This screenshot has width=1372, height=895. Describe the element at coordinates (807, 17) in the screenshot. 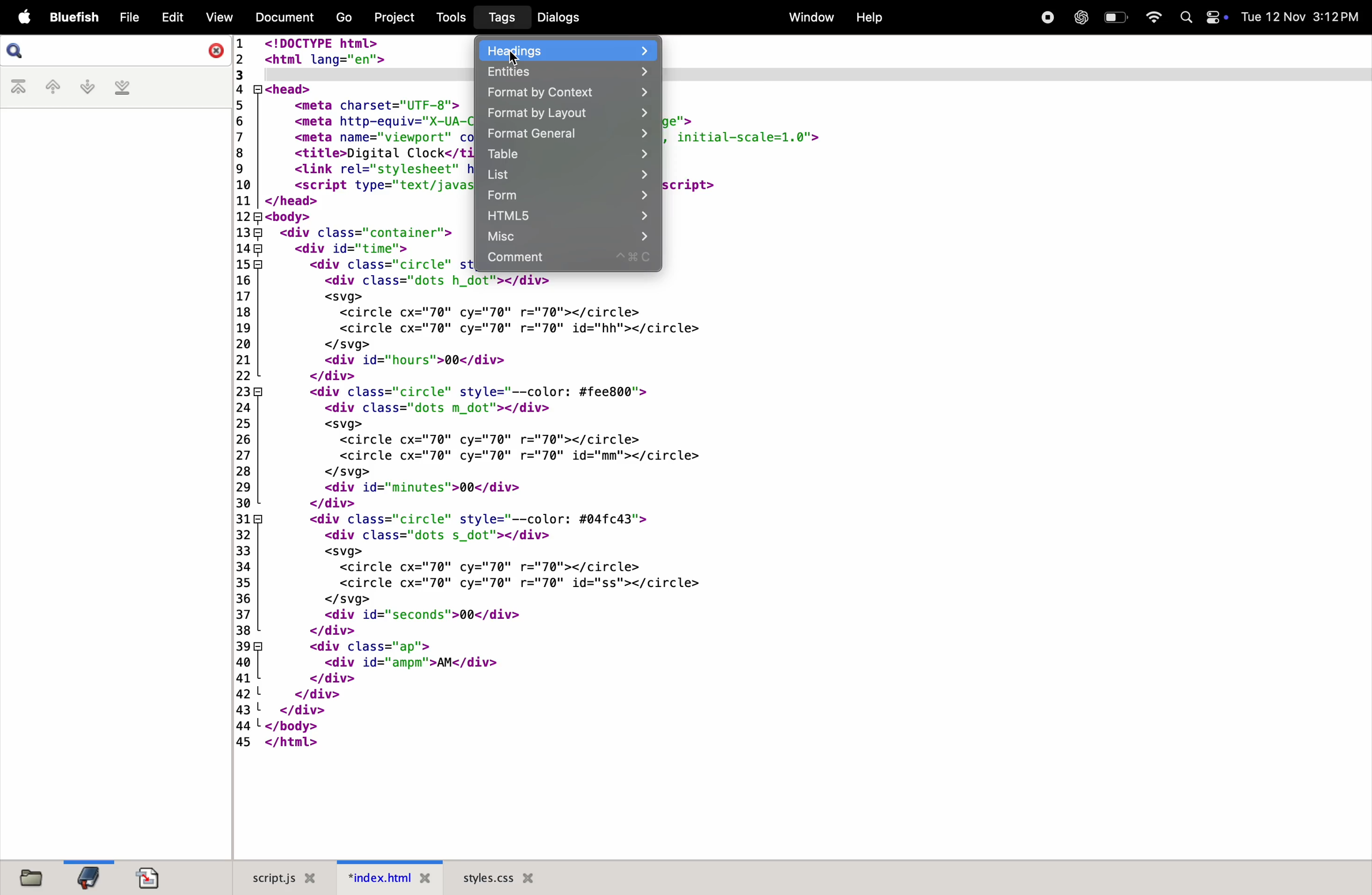

I see `window` at that location.